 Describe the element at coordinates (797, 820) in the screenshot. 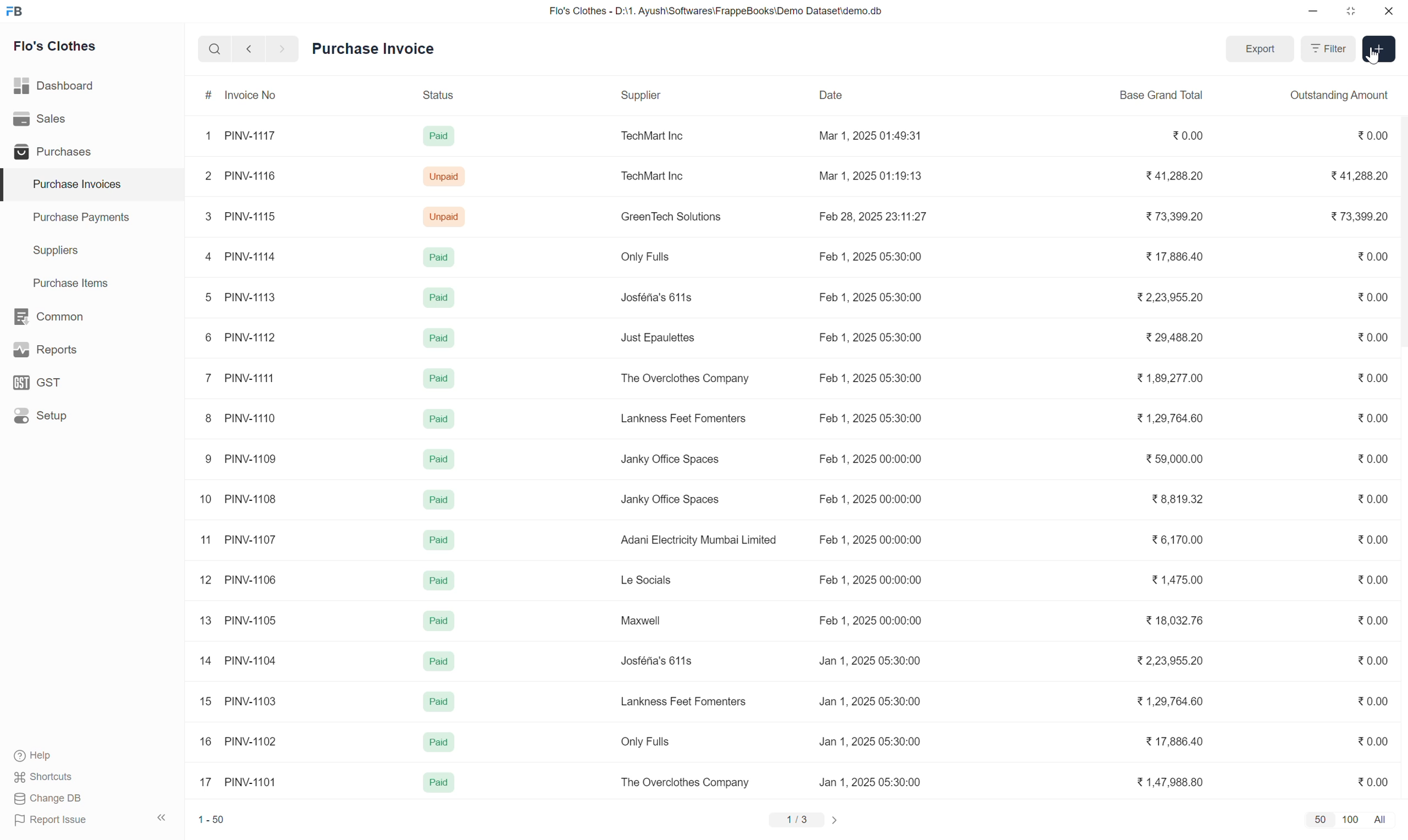

I see `1/3` at that location.